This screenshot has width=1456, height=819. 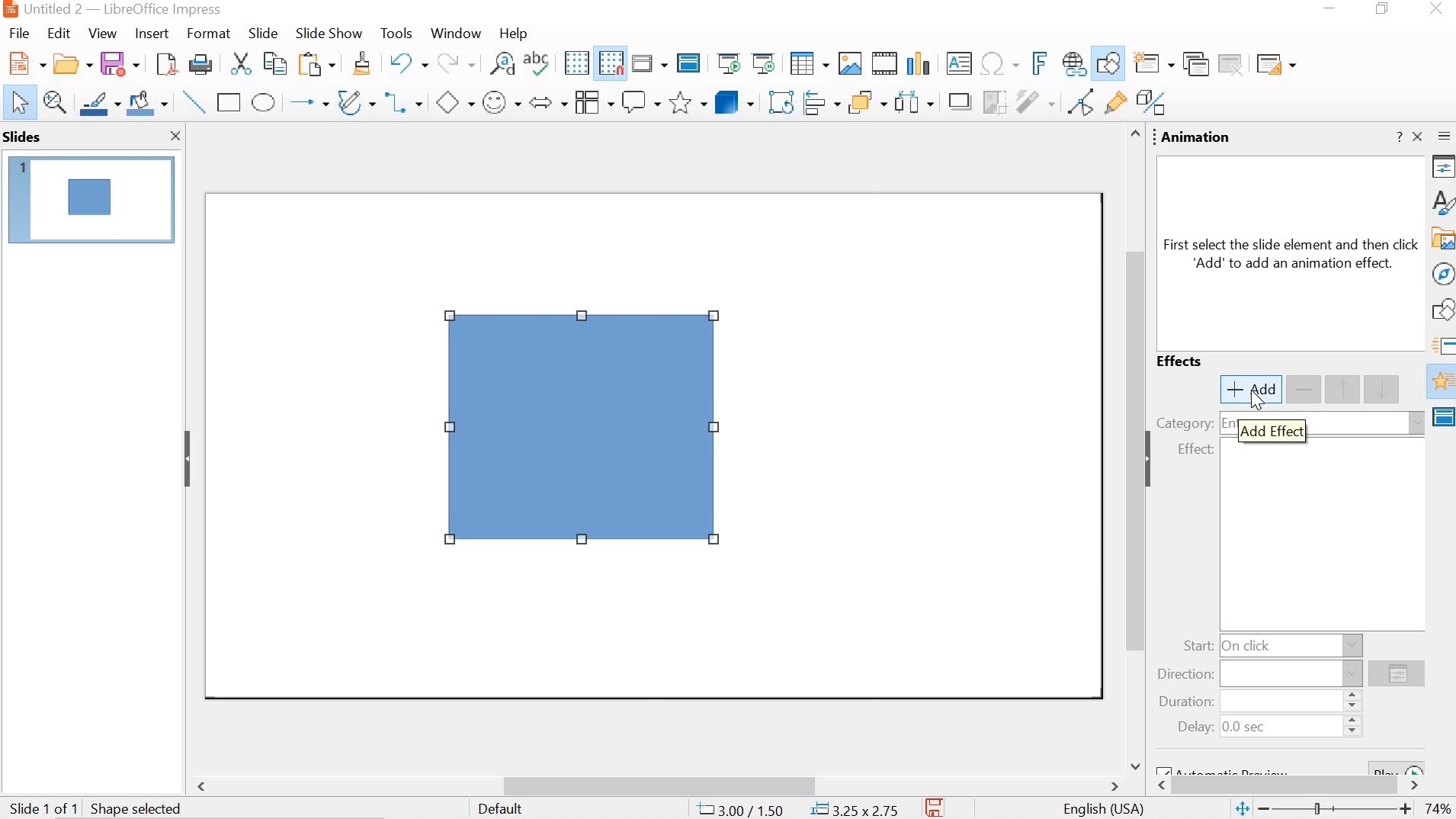 What do you see at coordinates (1443, 166) in the screenshot?
I see `properties` at bounding box center [1443, 166].